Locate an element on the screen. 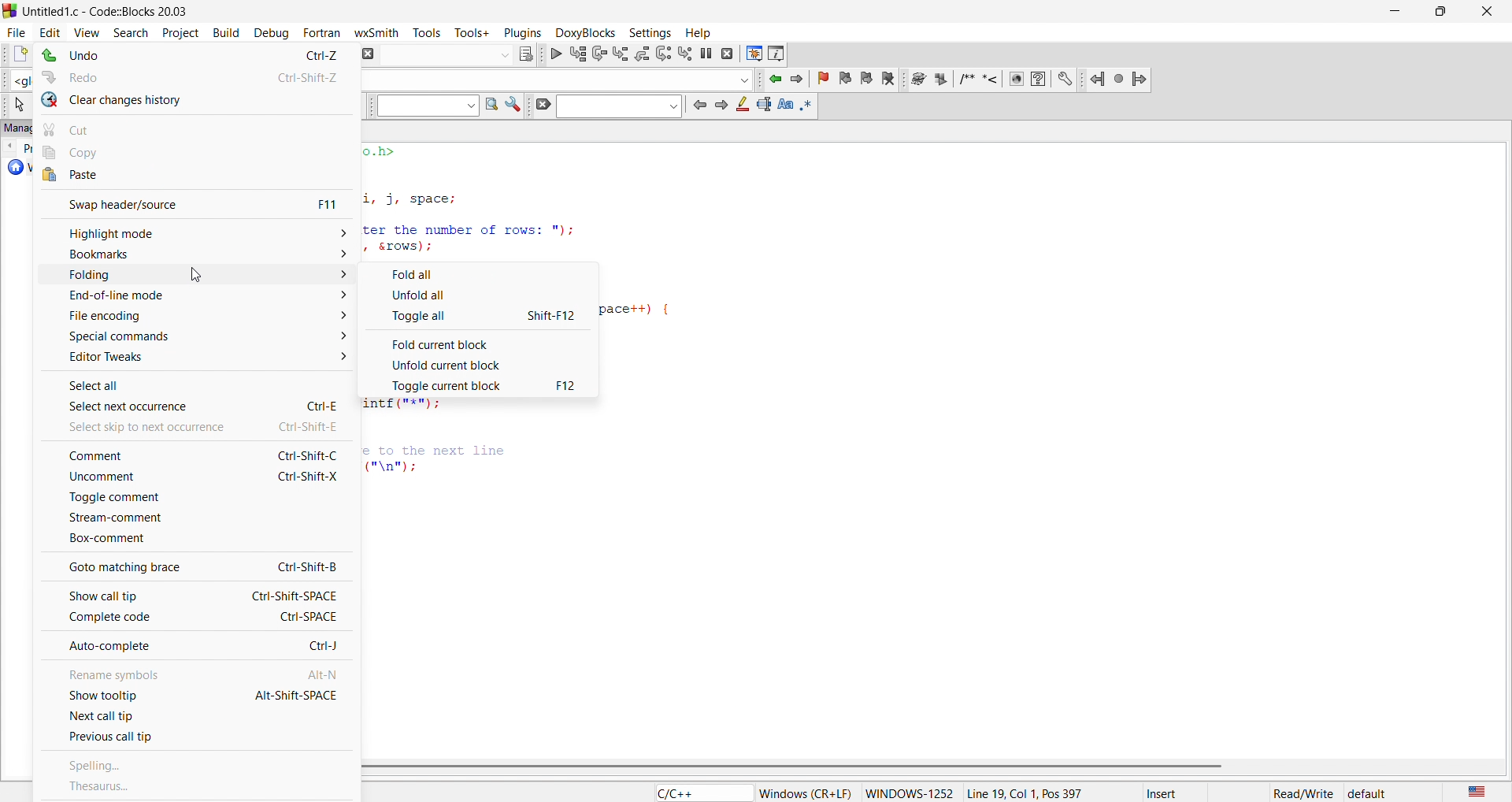 This screenshot has width=1512, height=802. fortran is located at coordinates (319, 32).